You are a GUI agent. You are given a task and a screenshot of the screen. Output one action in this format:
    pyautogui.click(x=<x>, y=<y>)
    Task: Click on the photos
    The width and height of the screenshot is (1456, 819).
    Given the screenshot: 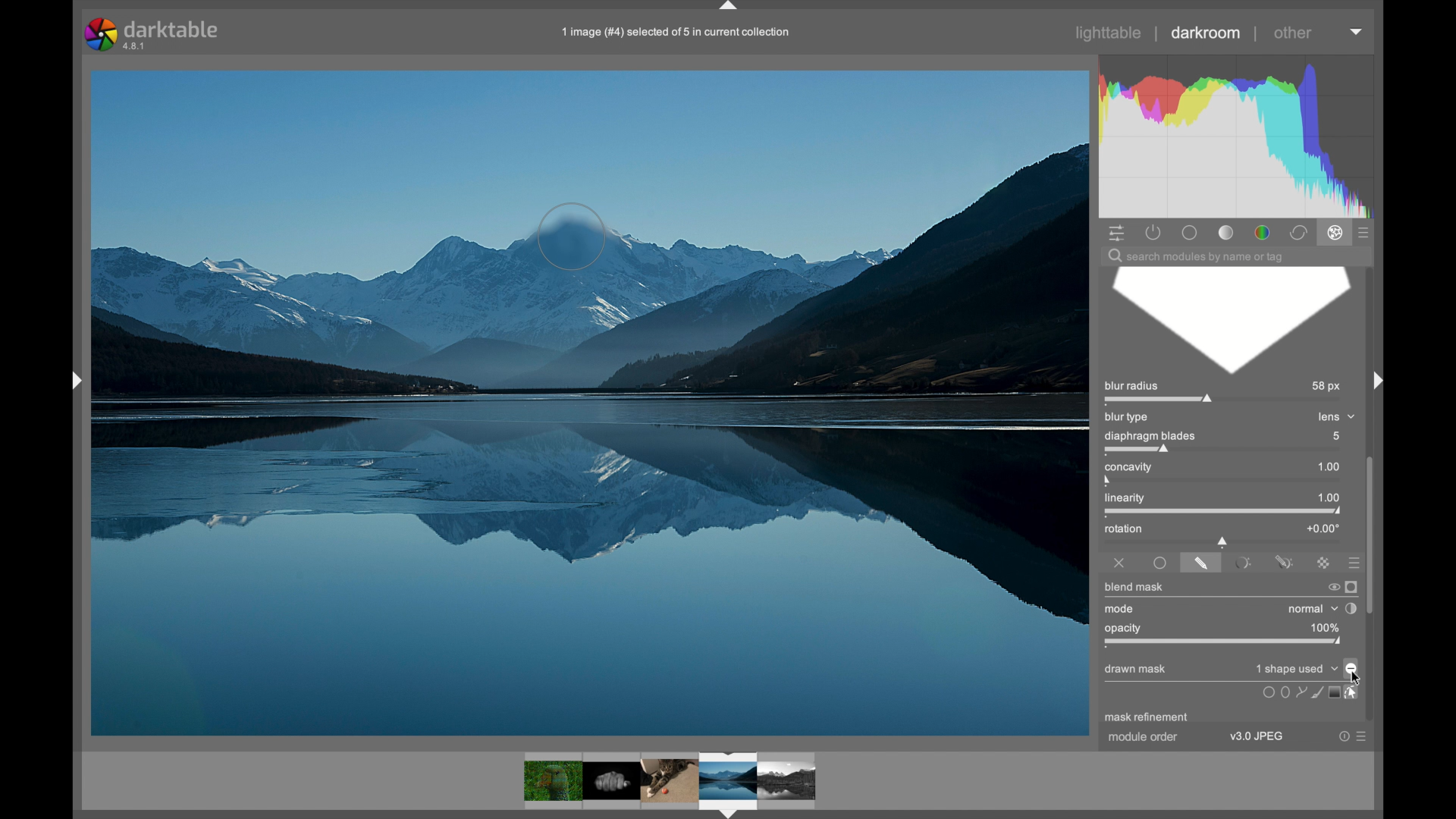 What is the action you would take?
    pyautogui.click(x=669, y=781)
    